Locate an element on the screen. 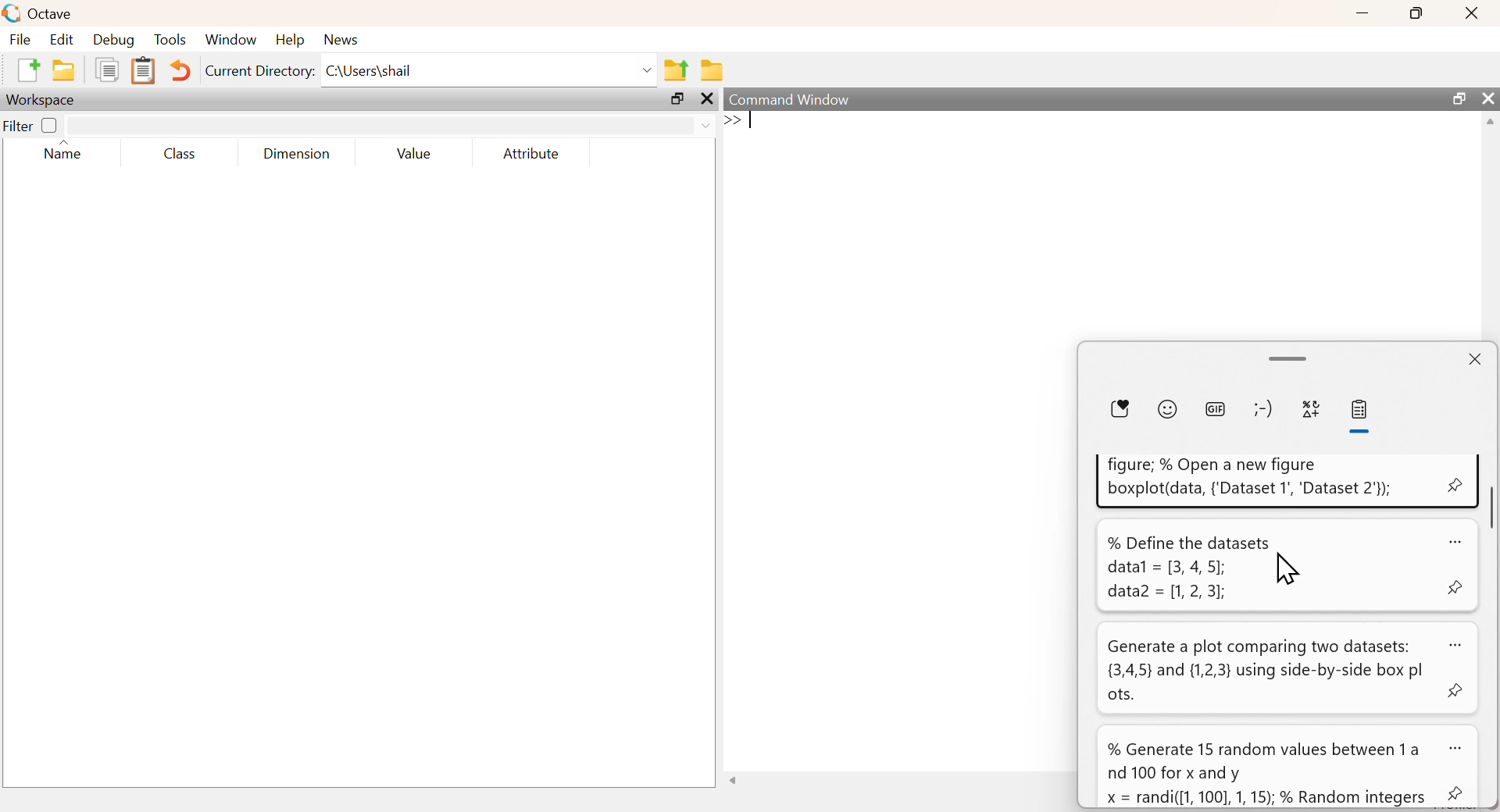  cursor is located at coordinates (1295, 572).